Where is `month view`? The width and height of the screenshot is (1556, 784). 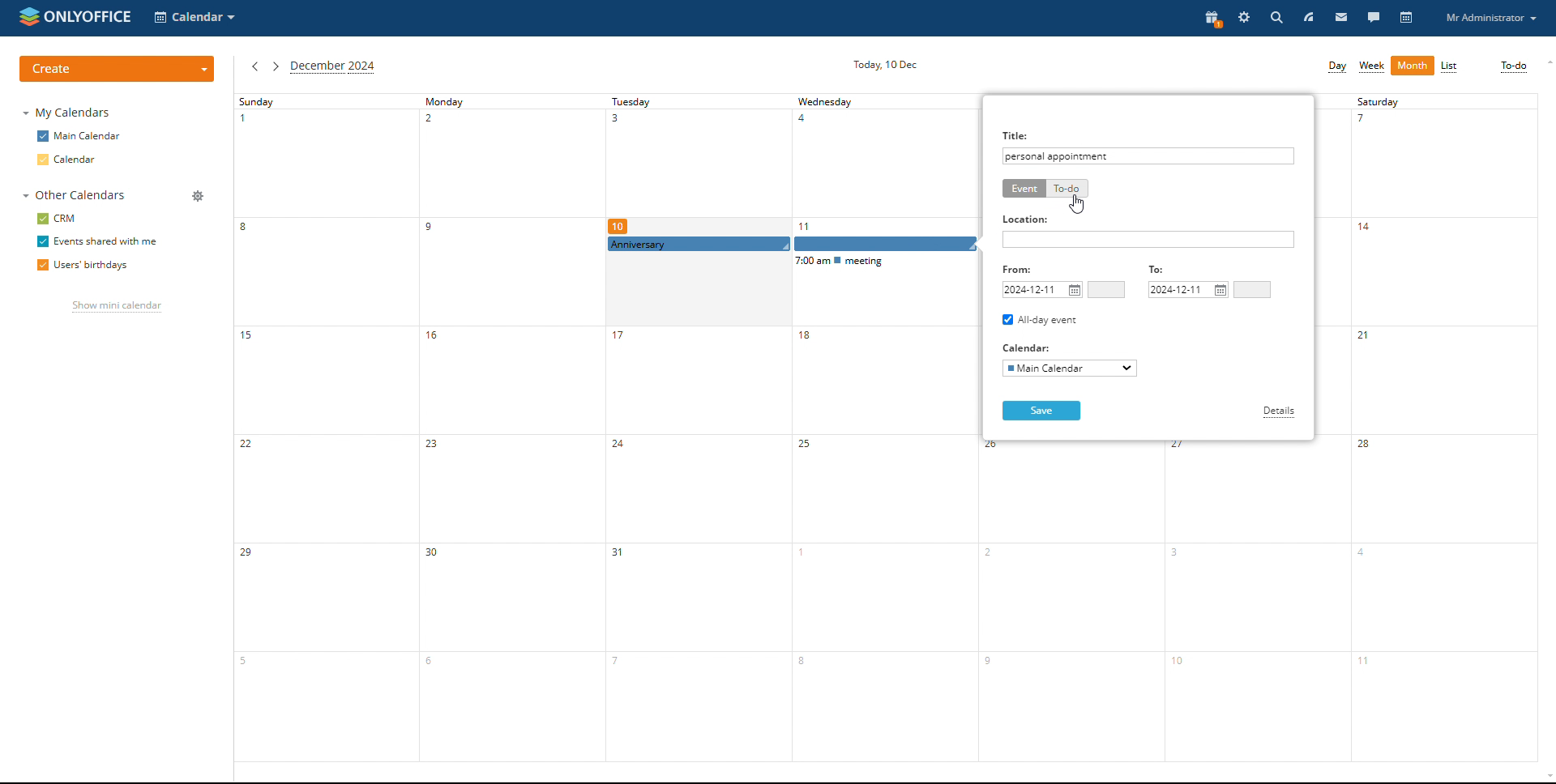 month view is located at coordinates (1413, 66).